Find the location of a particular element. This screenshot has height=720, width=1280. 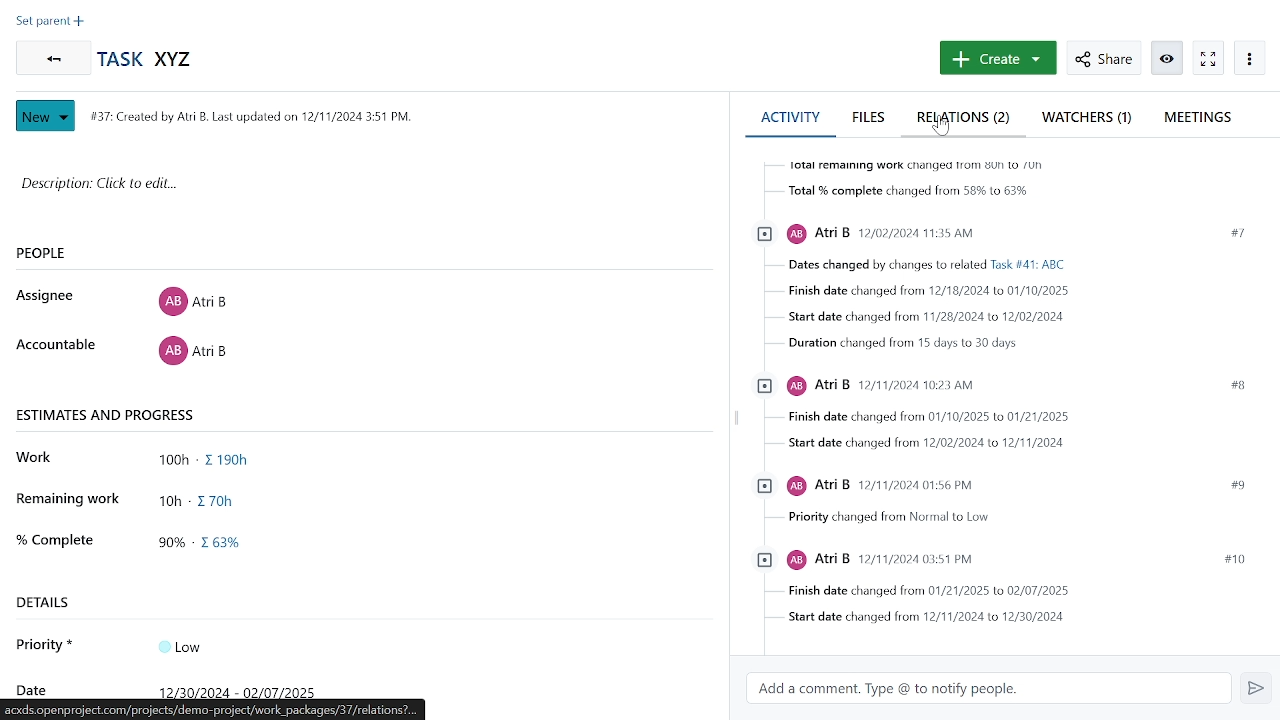

work is located at coordinates (40, 458).